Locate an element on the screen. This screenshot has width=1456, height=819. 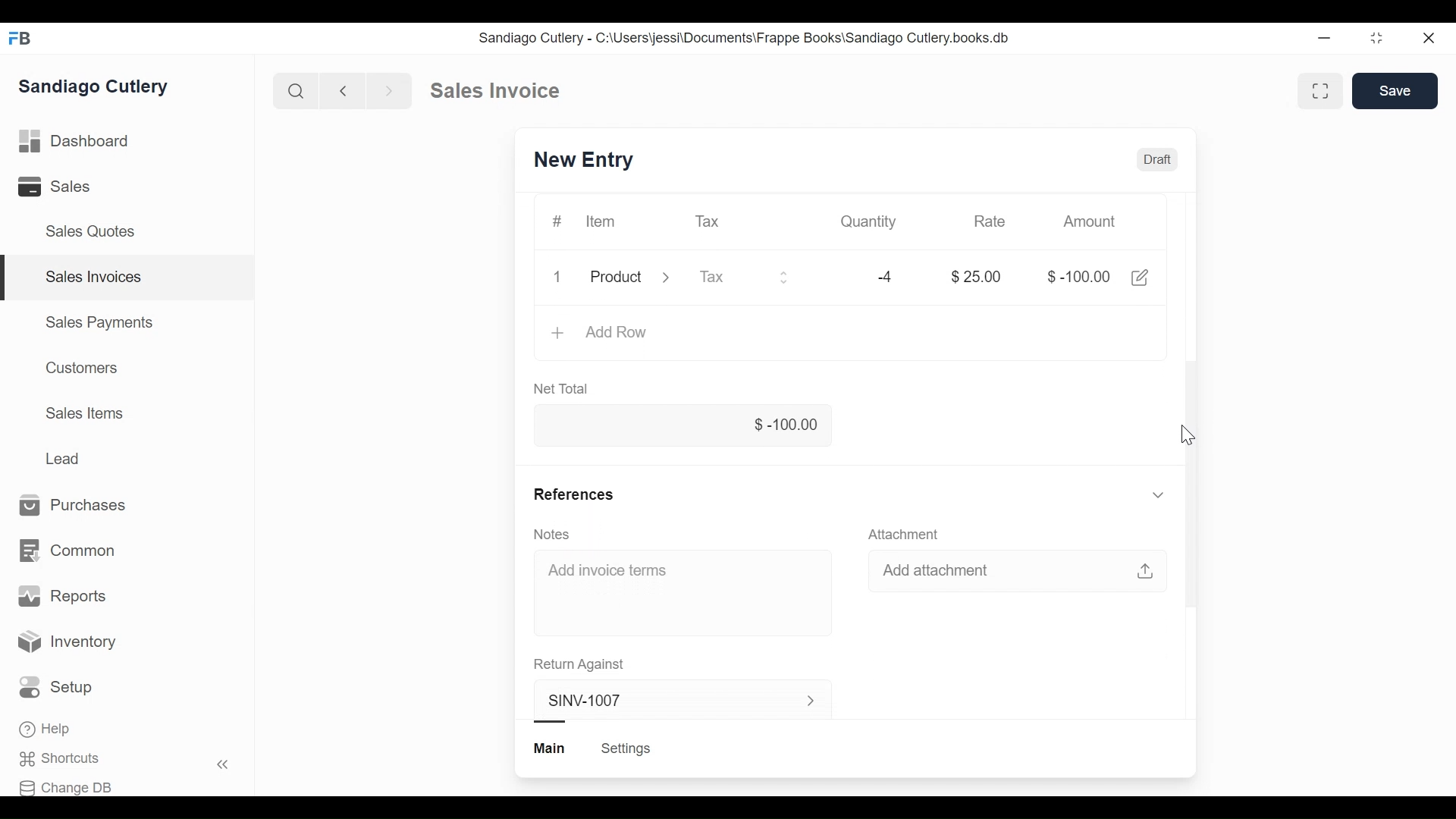
$-100.00 is located at coordinates (682, 426).